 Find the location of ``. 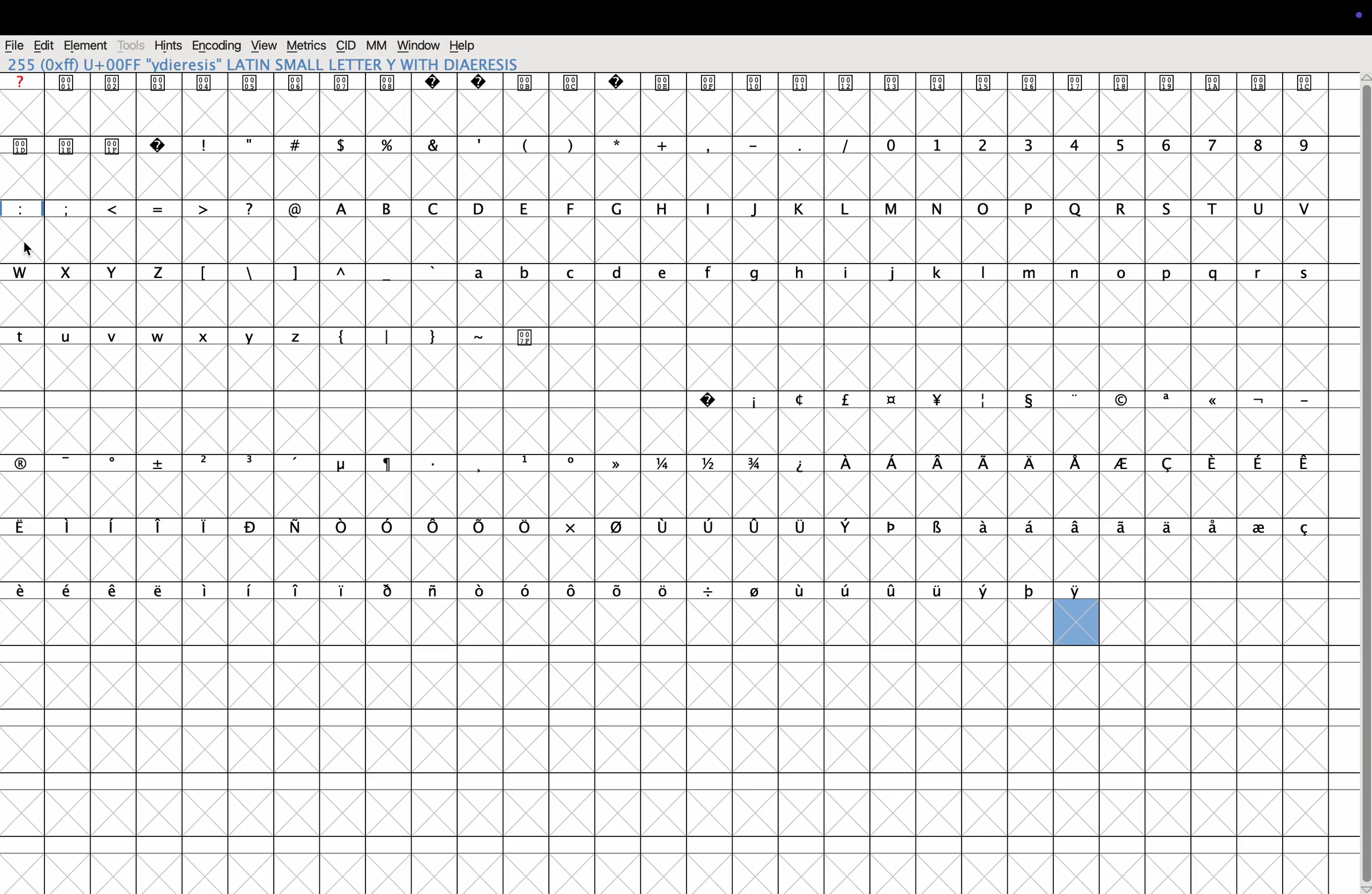

 is located at coordinates (345, 291).